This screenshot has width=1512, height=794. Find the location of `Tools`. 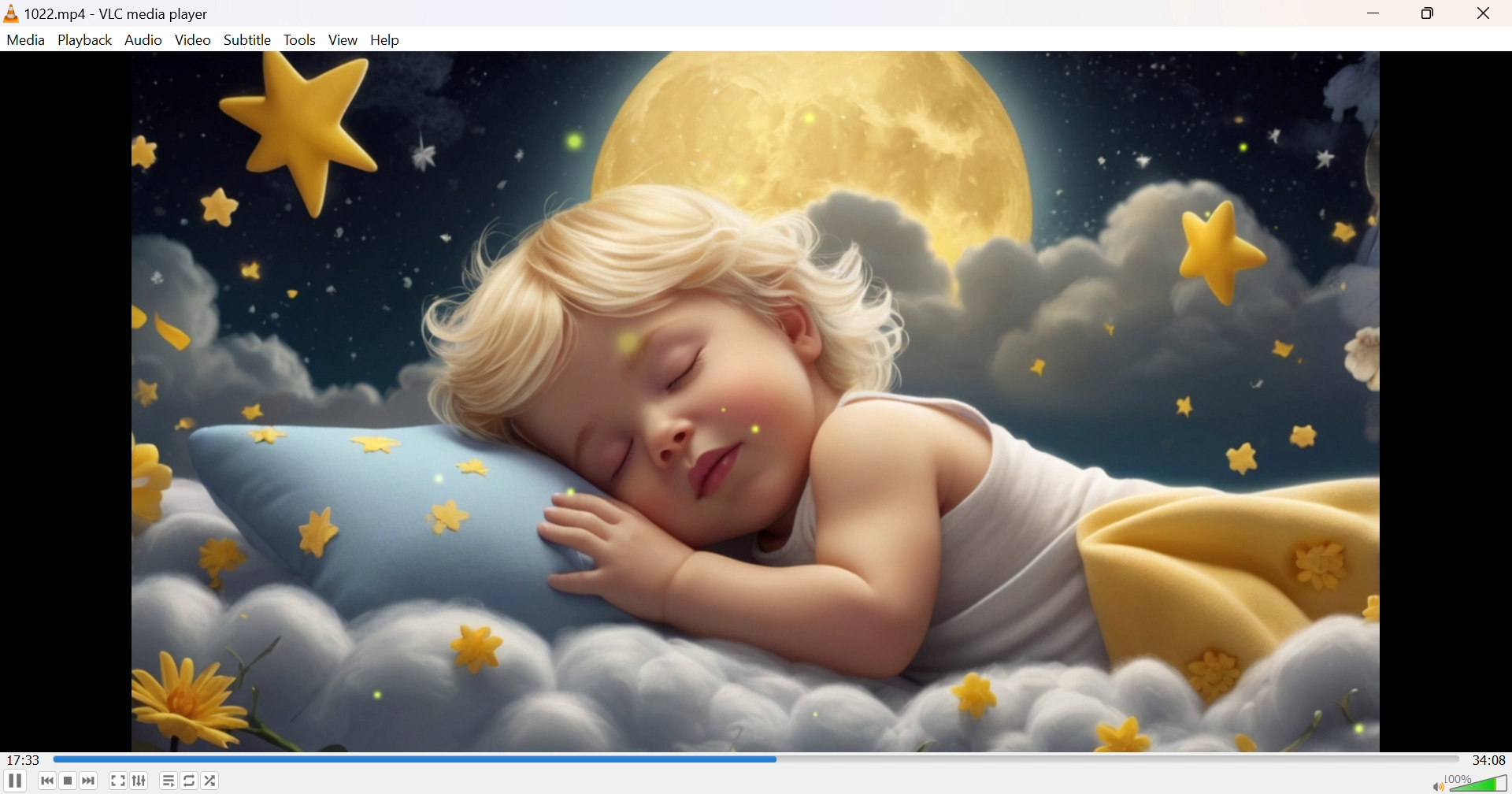

Tools is located at coordinates (301, 40).